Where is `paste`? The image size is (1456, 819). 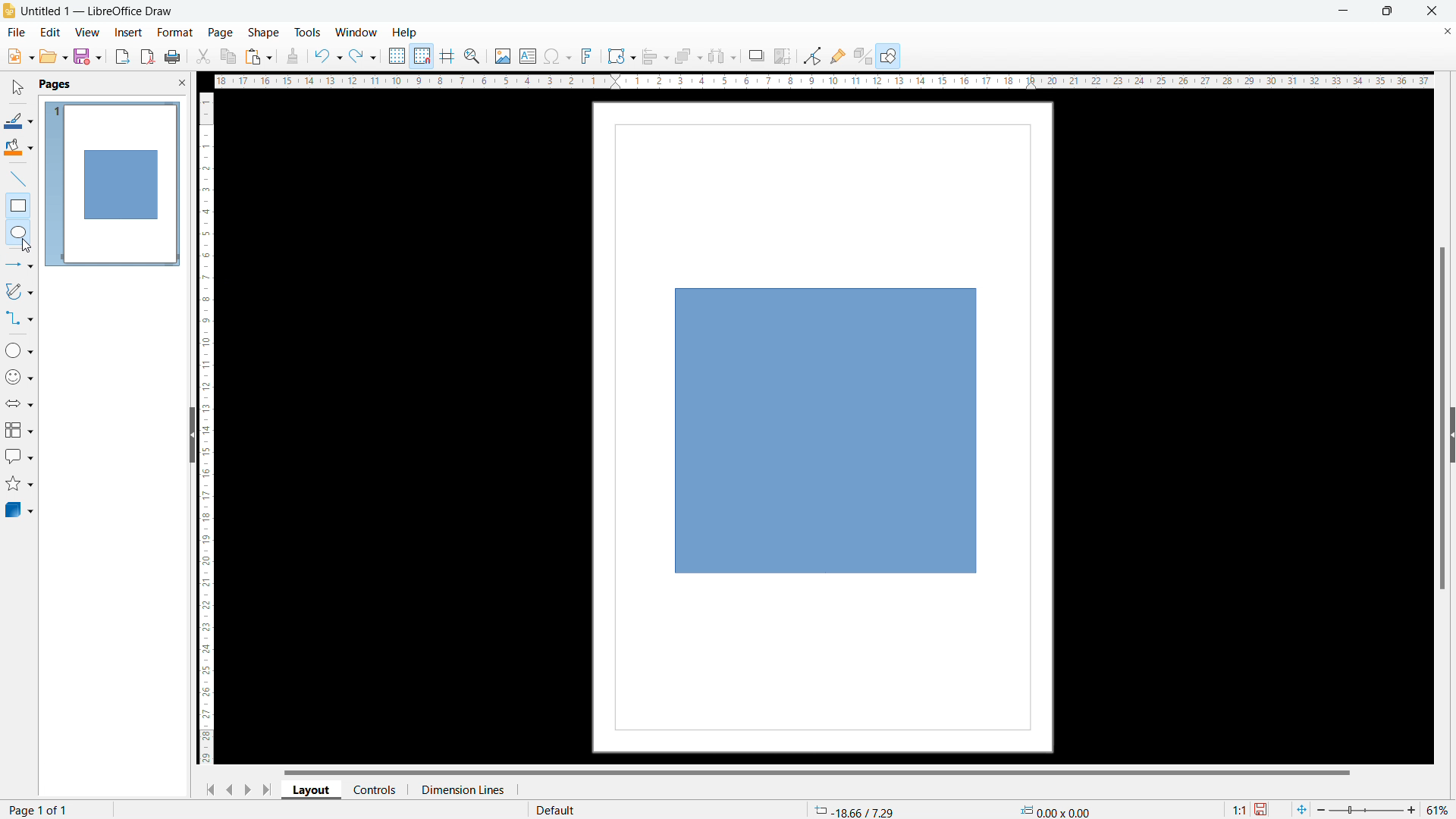
paste is located at coordinates (259, 56).